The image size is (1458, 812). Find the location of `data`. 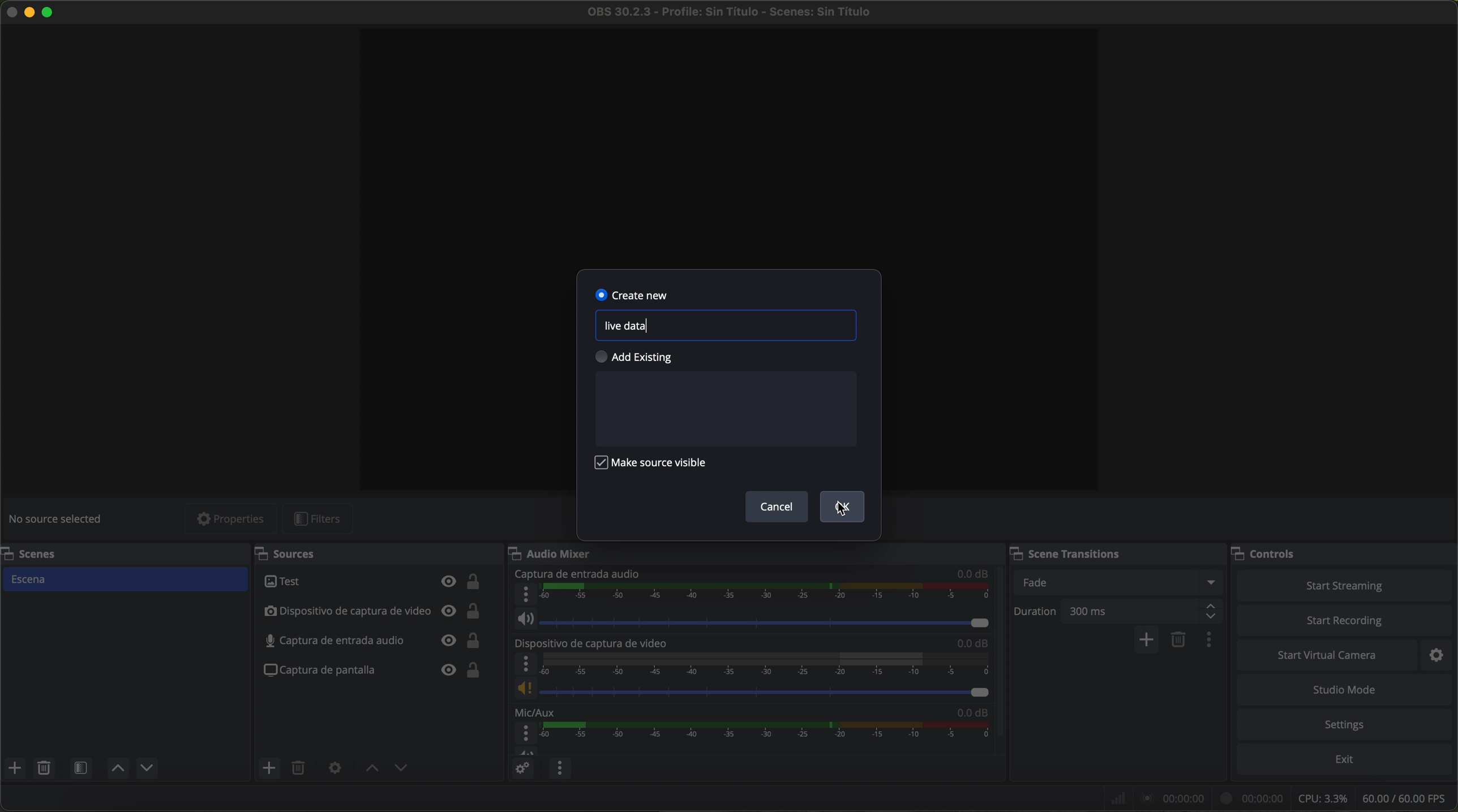

data is located at coordinates (1280, 797).